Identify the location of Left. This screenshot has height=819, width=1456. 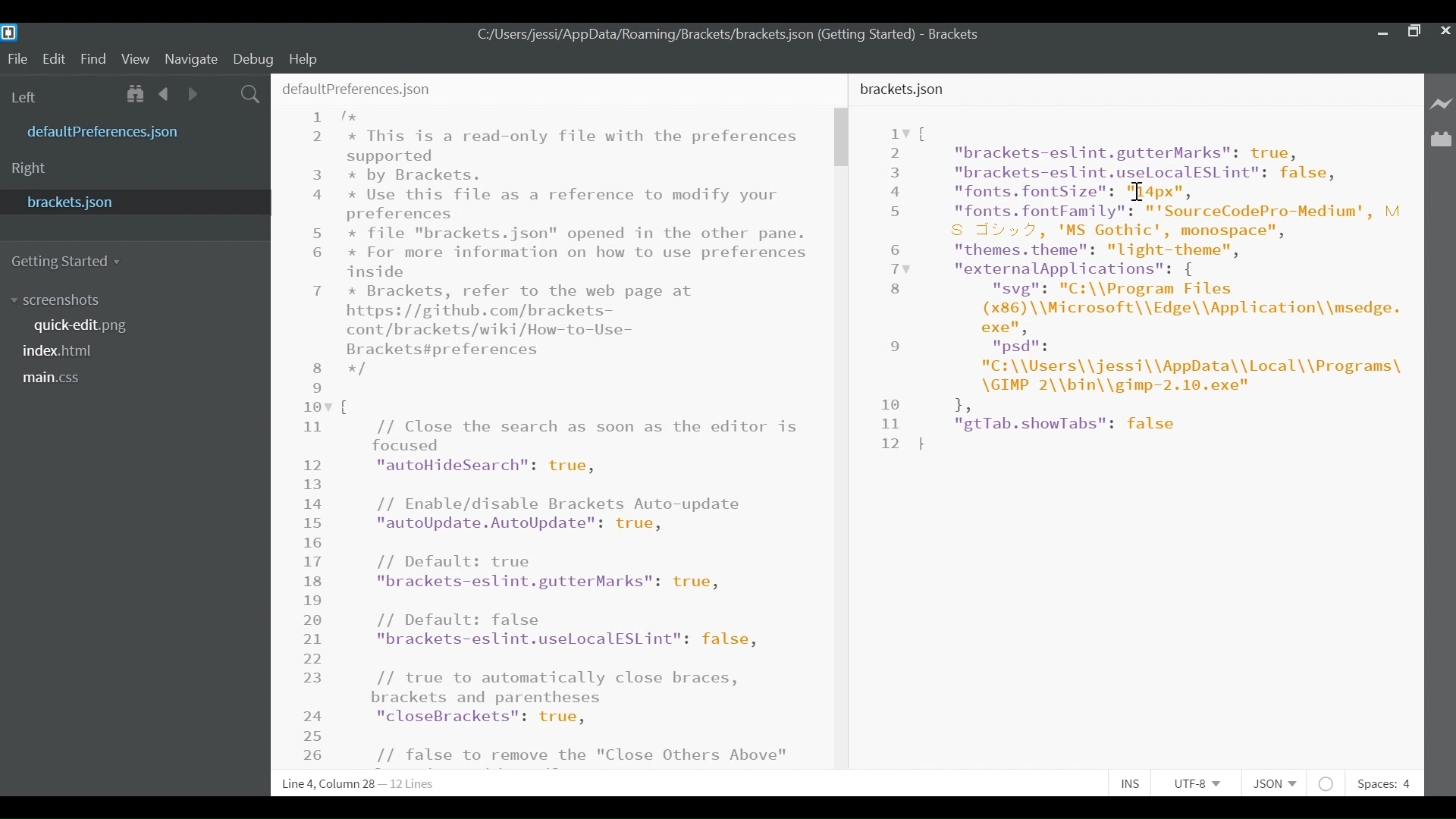
(29, 96).